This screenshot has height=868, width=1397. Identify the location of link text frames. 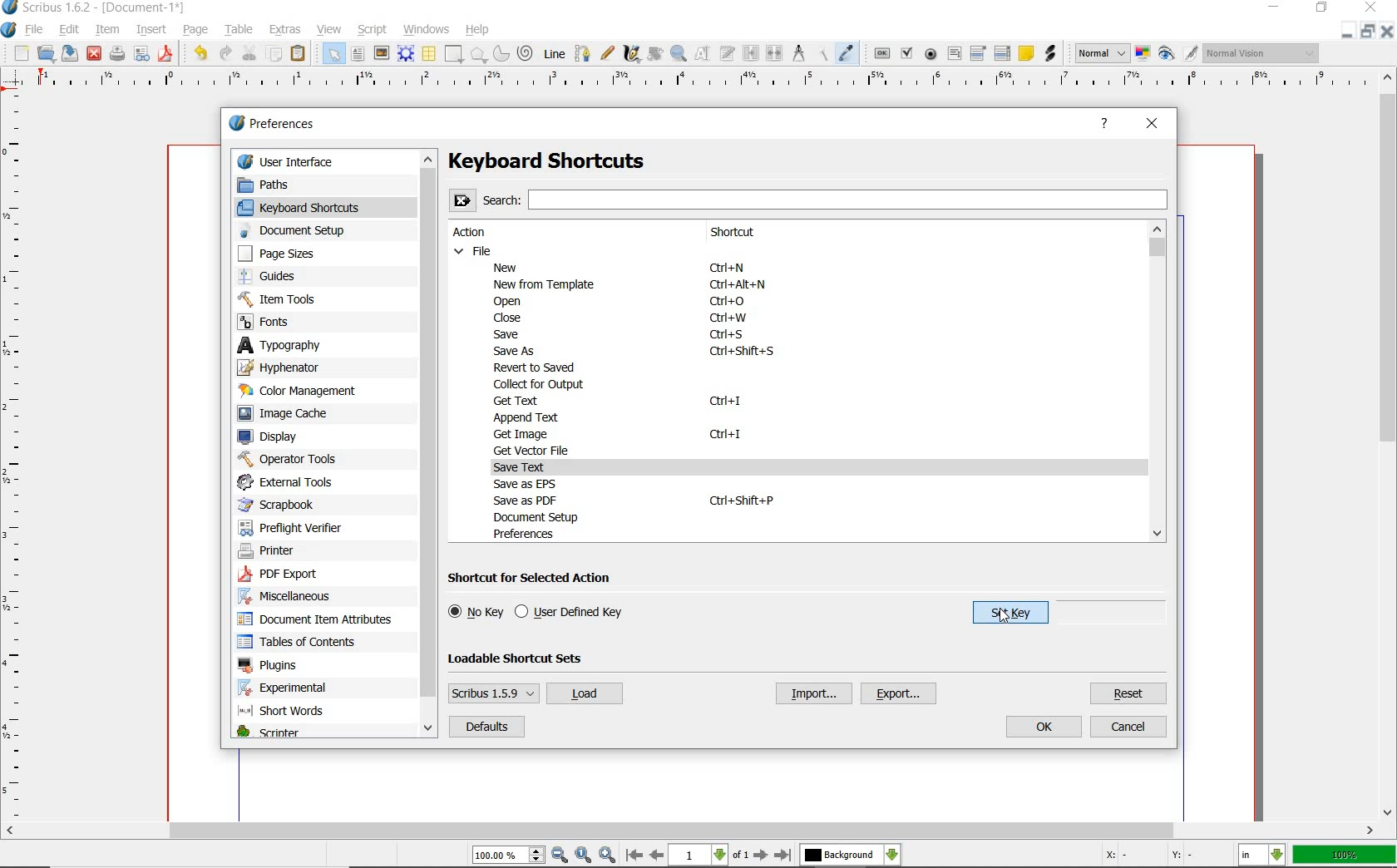
(753, 53).